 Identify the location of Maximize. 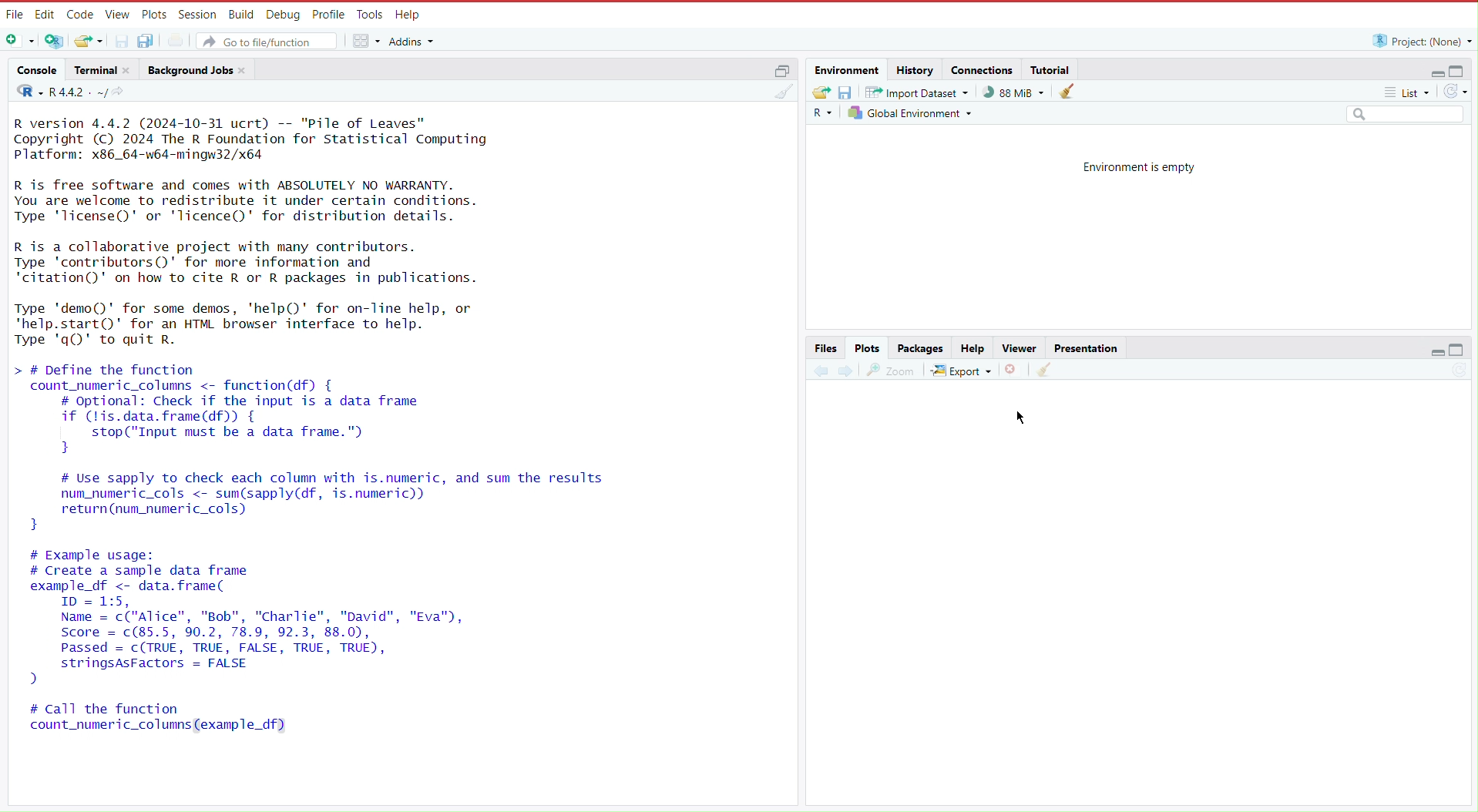
(1459, 351).